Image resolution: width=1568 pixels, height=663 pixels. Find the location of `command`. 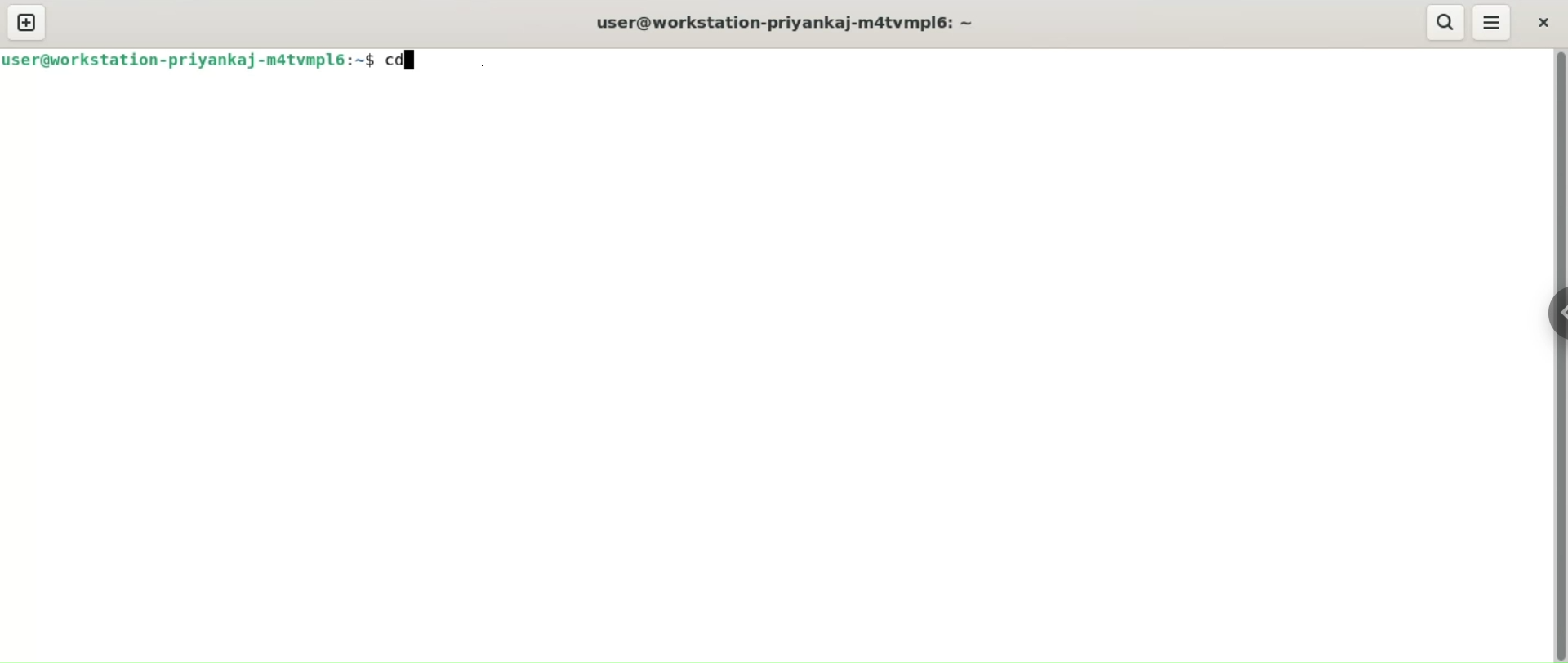

command is located at coordinates (402, 58).